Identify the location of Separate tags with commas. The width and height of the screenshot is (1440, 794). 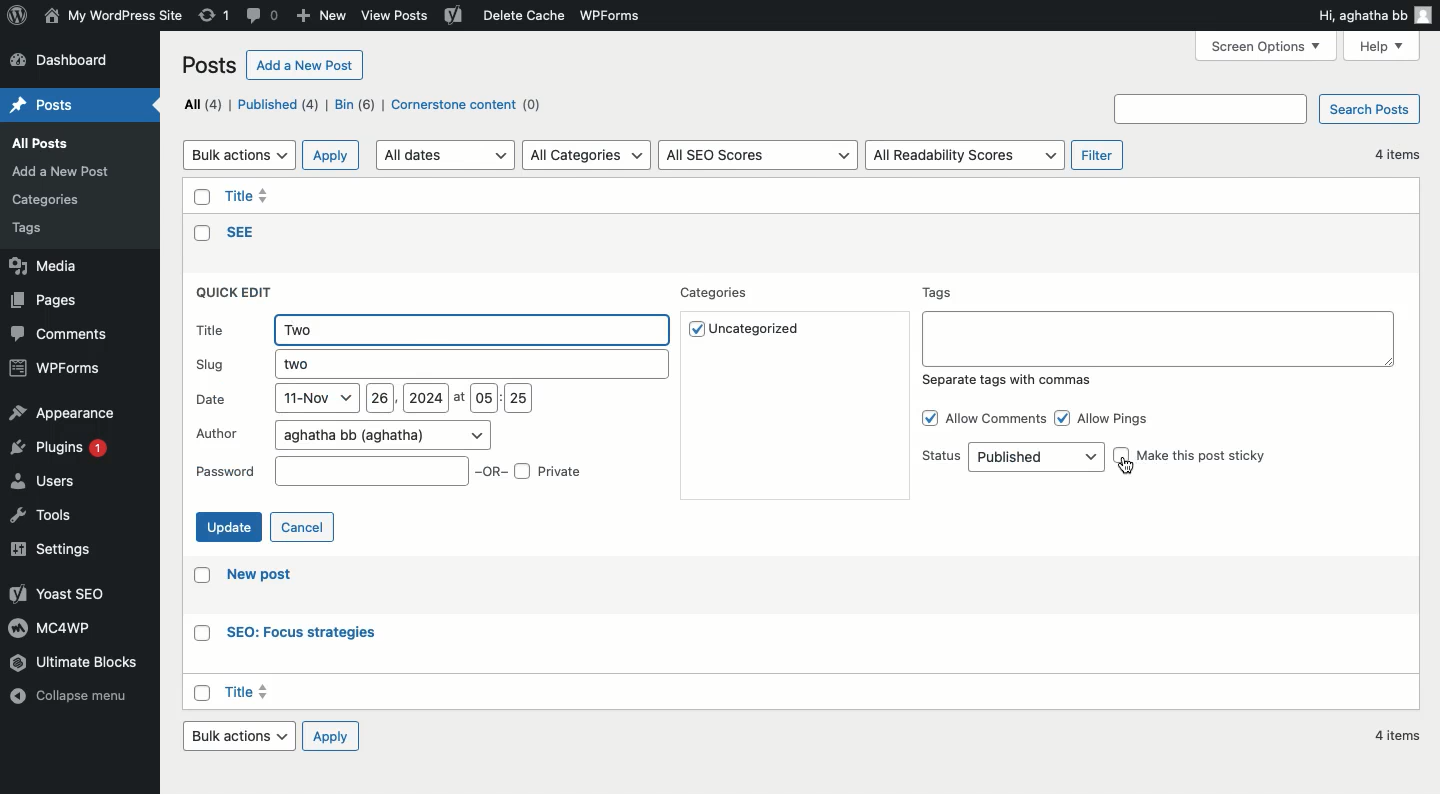
(1010, 383).